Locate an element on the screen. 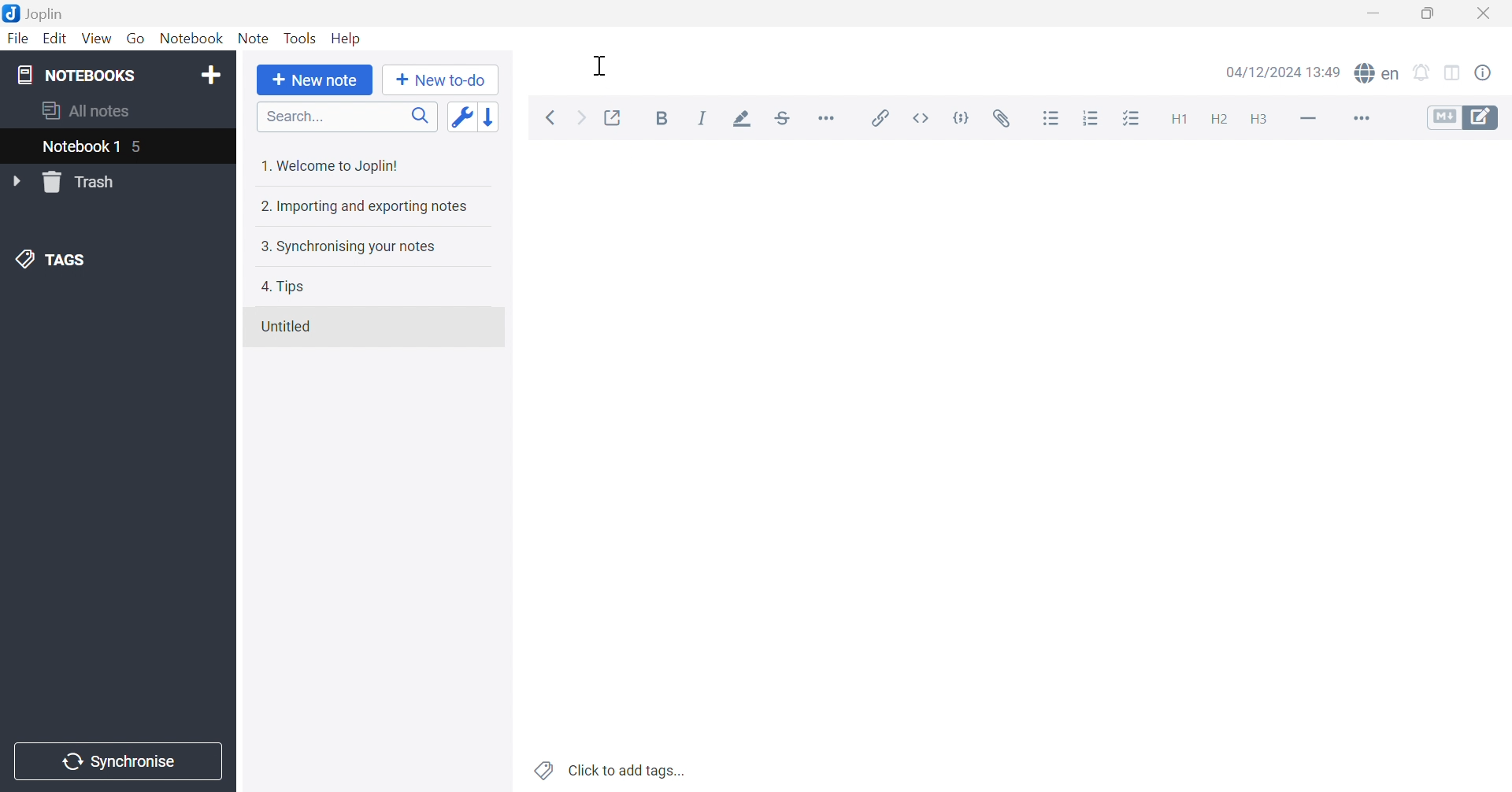  Minimize is located at coordinates (1372, 12).